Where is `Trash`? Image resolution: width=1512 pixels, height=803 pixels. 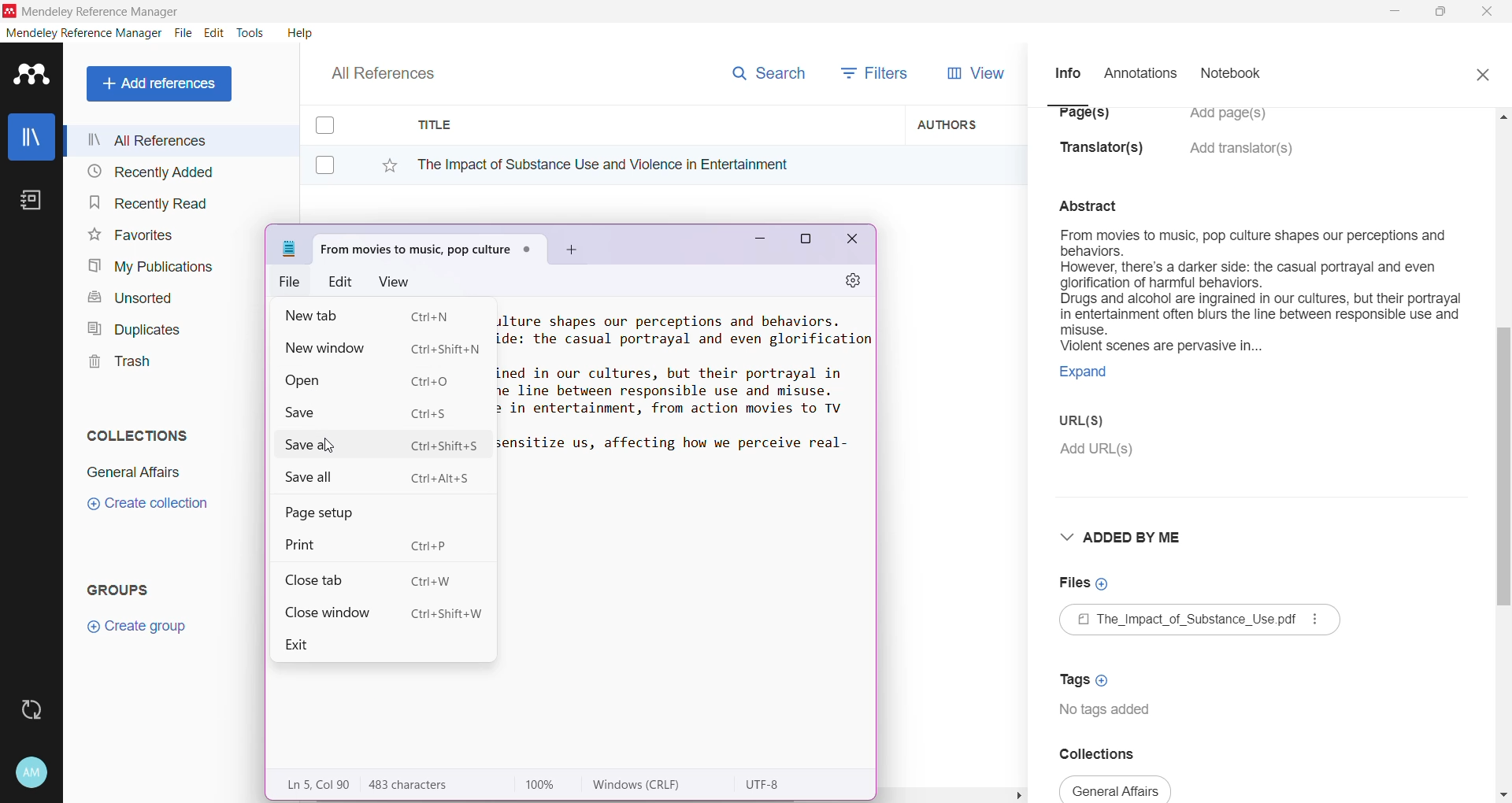 Trash is located at coordinates (115, 364).